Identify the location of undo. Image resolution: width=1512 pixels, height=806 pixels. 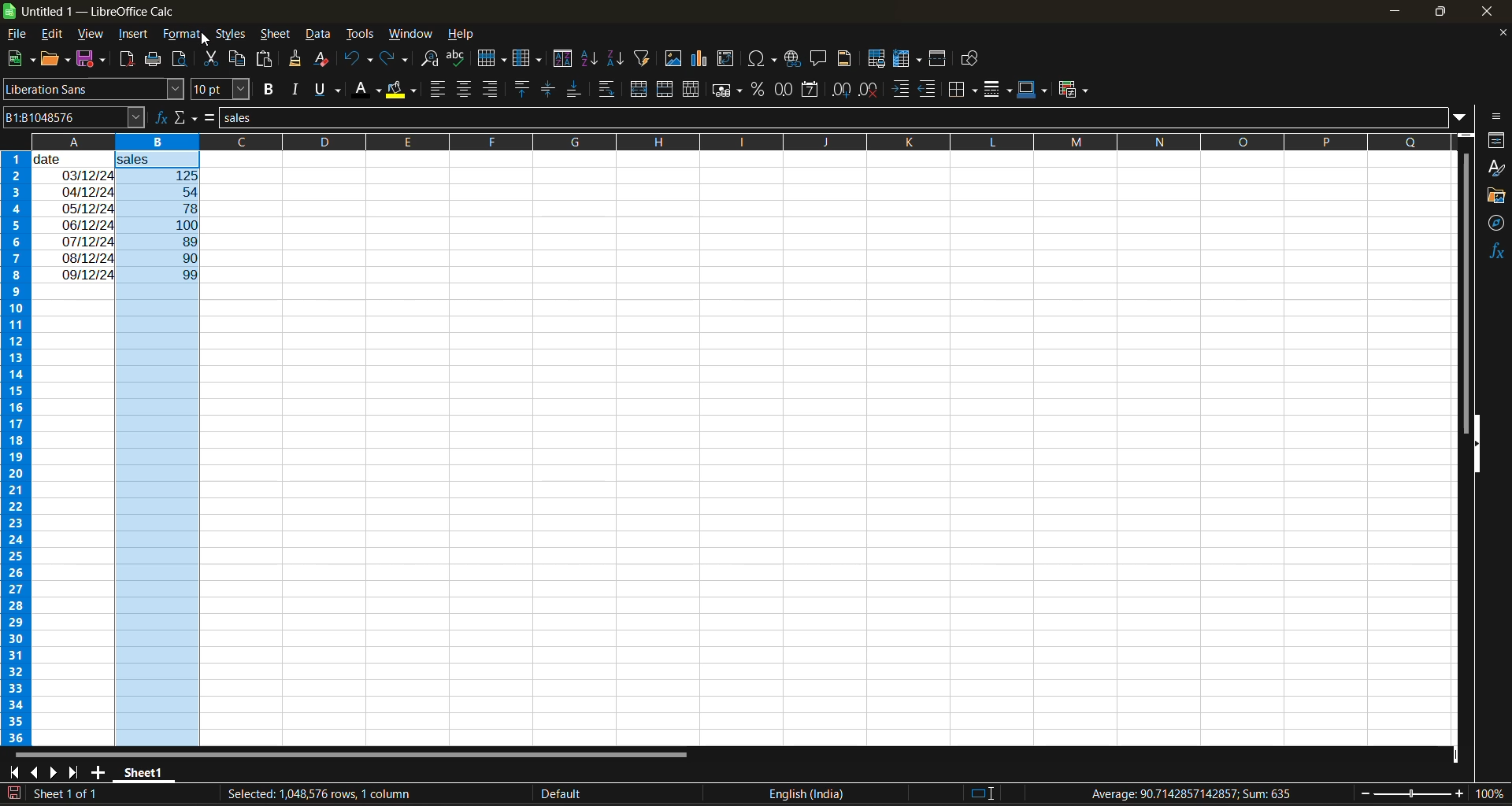
(358, 61).